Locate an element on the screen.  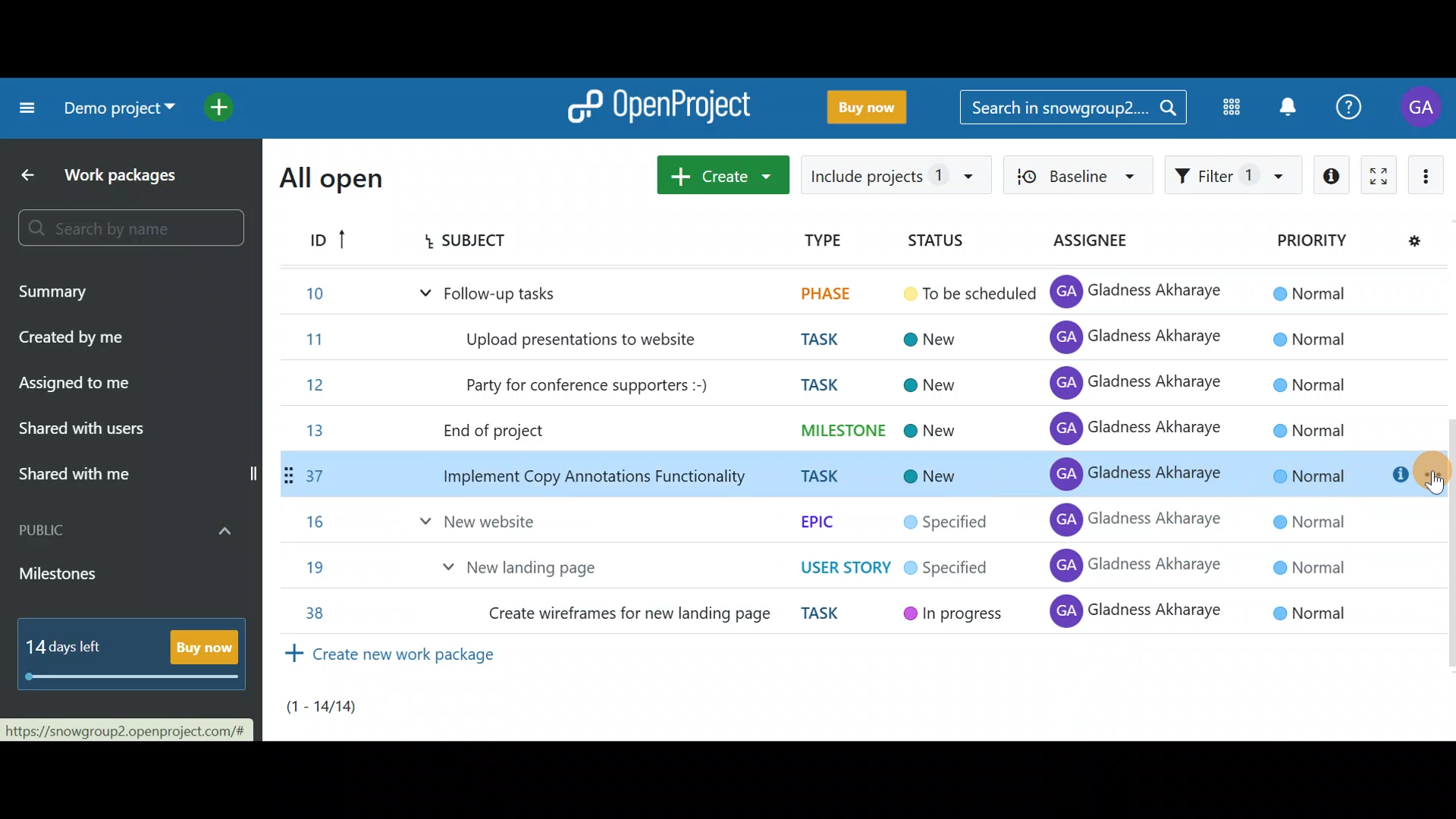
12 is located at coordinates (304, 385).